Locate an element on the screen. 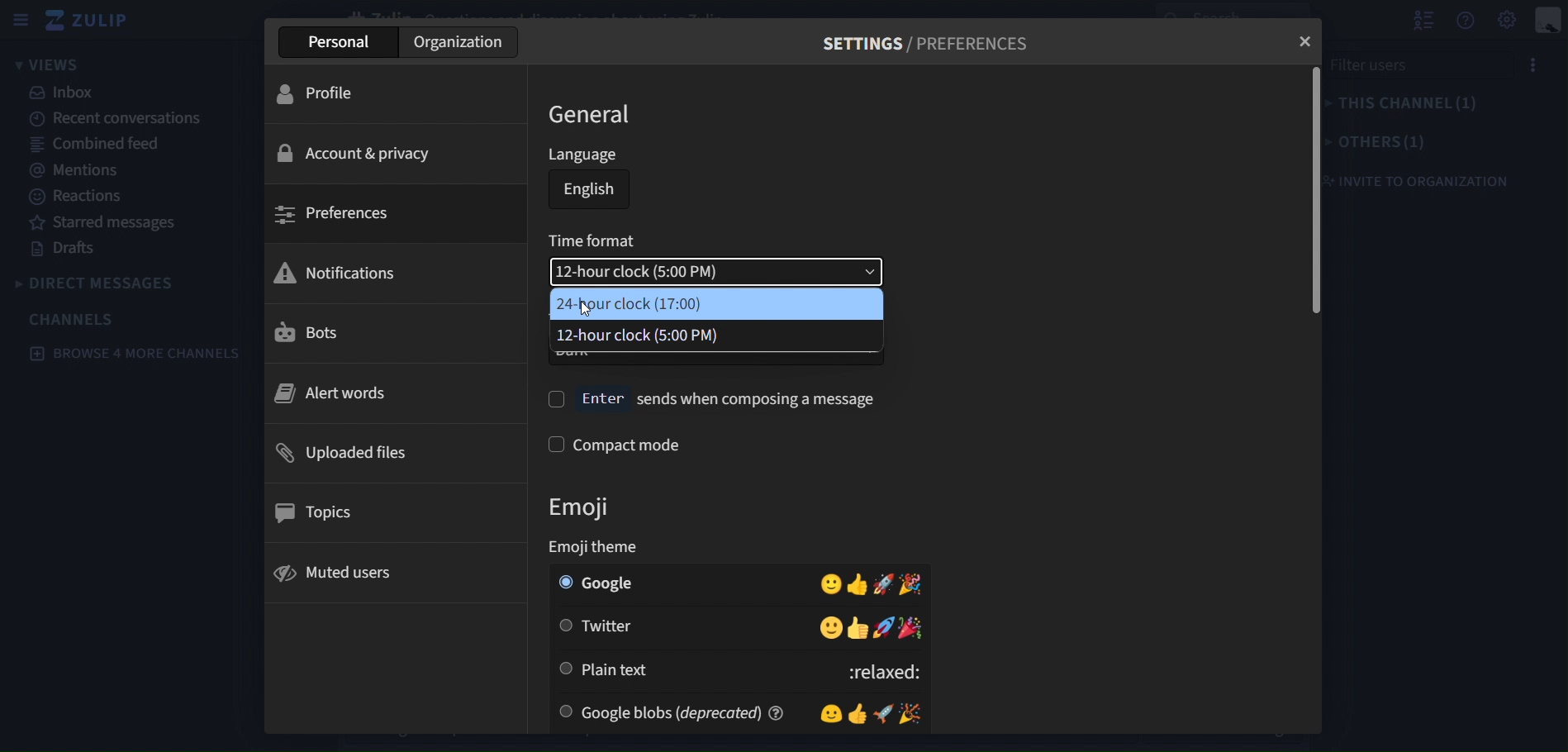 This screenshot has width=1568, height=752. combined feed is located at coordinates (93, 143).